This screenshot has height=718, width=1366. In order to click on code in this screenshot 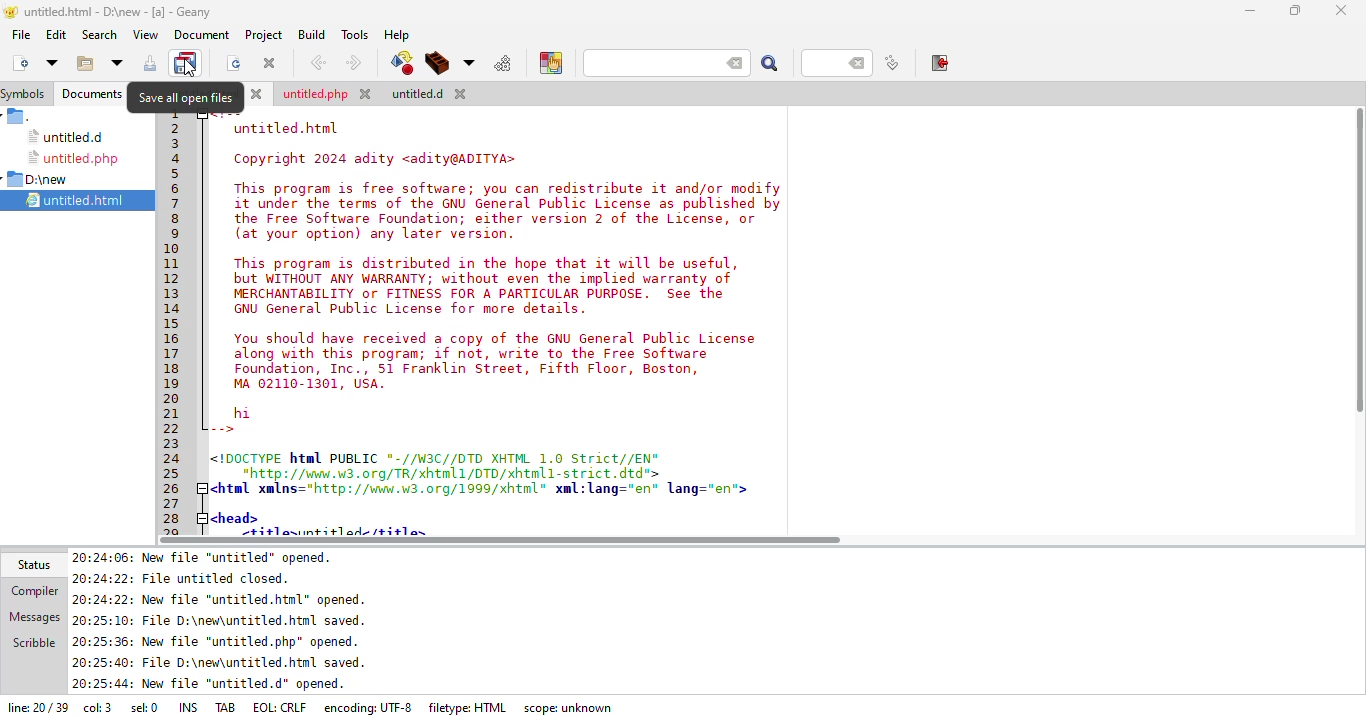, I will do `click(547, 328)`.